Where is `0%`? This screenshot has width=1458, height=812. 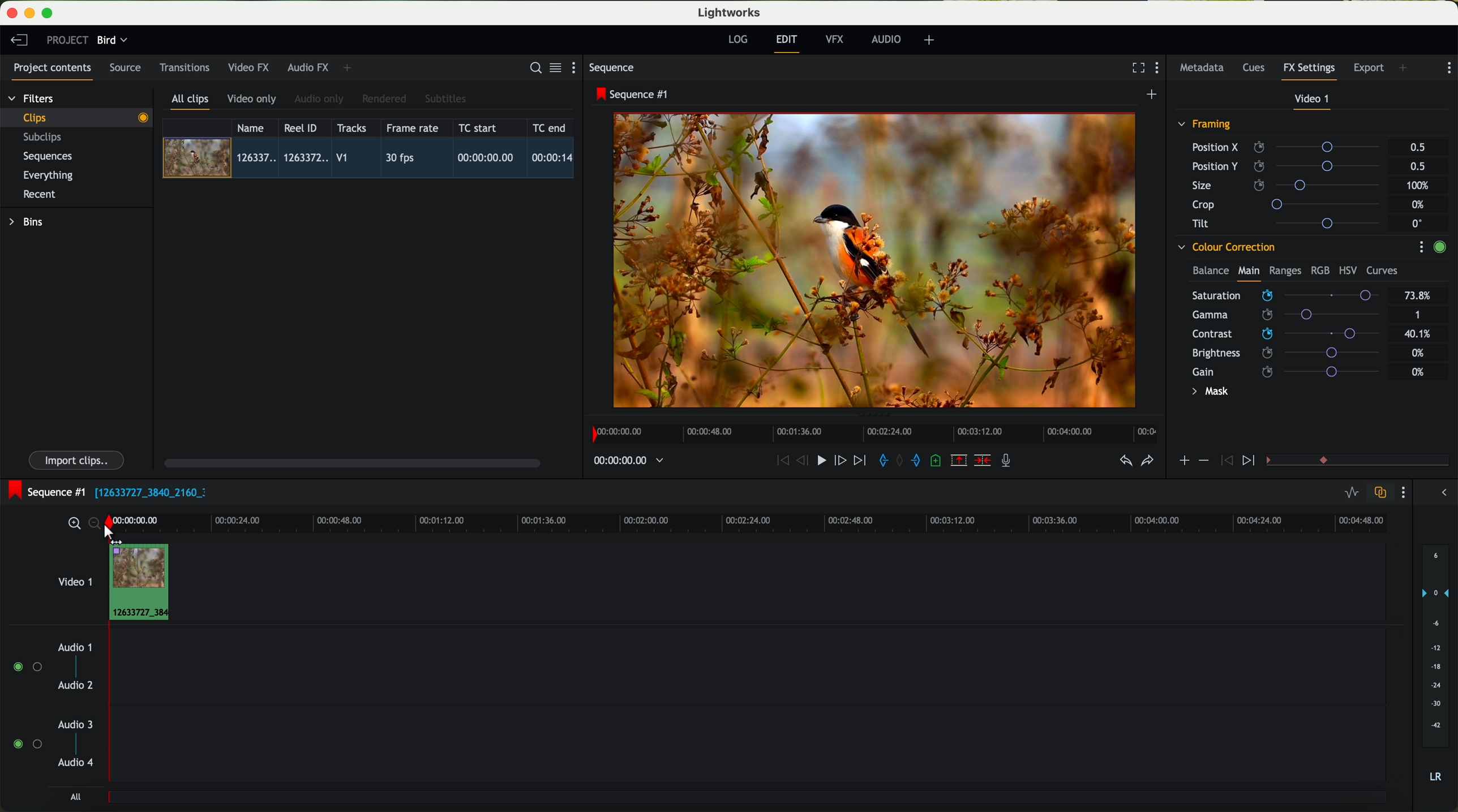 0% is located at coordinates (1420, 205).